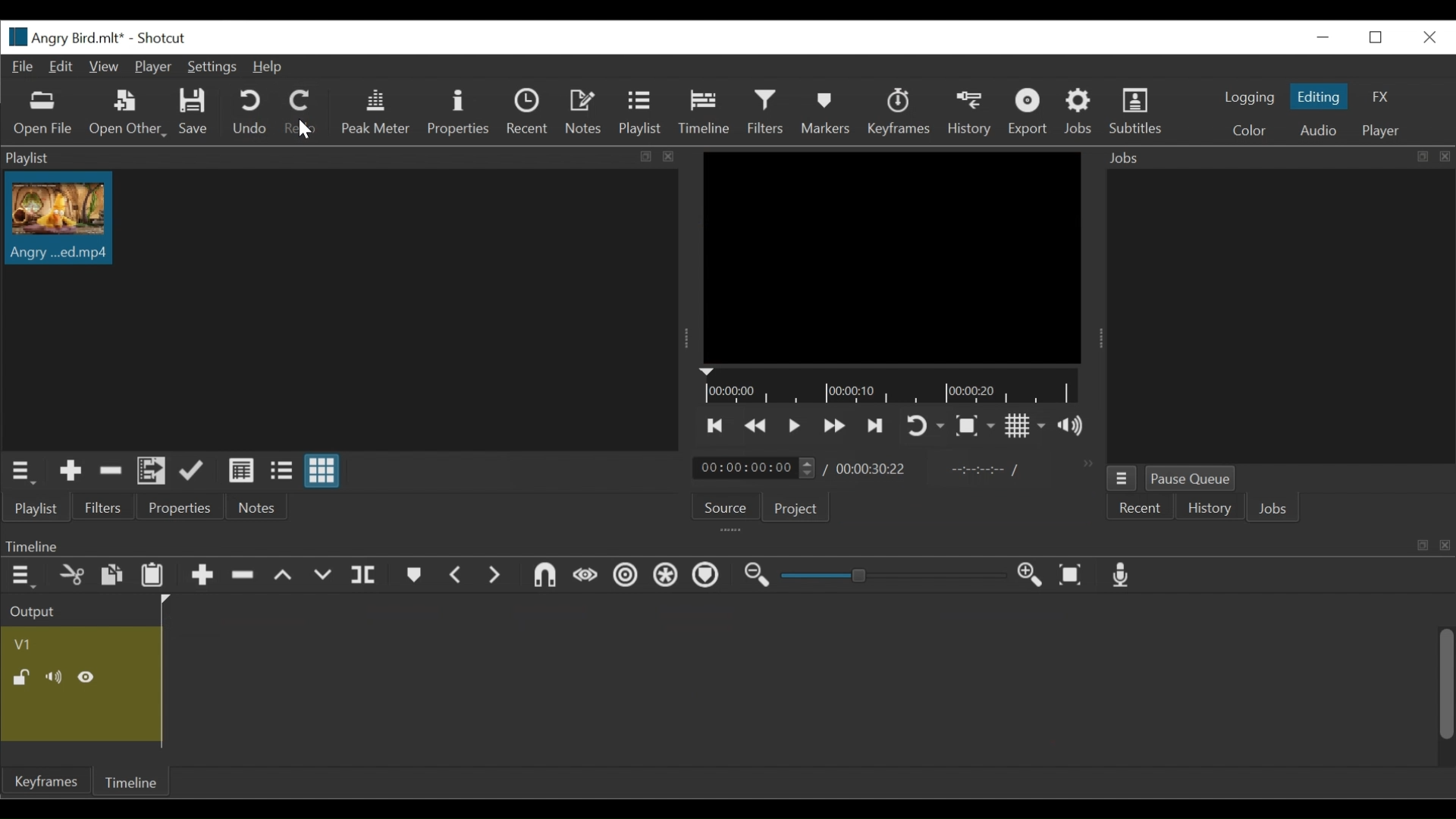 The height and width of the screenshot is (819, 1456). What do you see at coordinates (245, 111) in the screenshot?
I see `Undo` at bounding box center [245, 111].